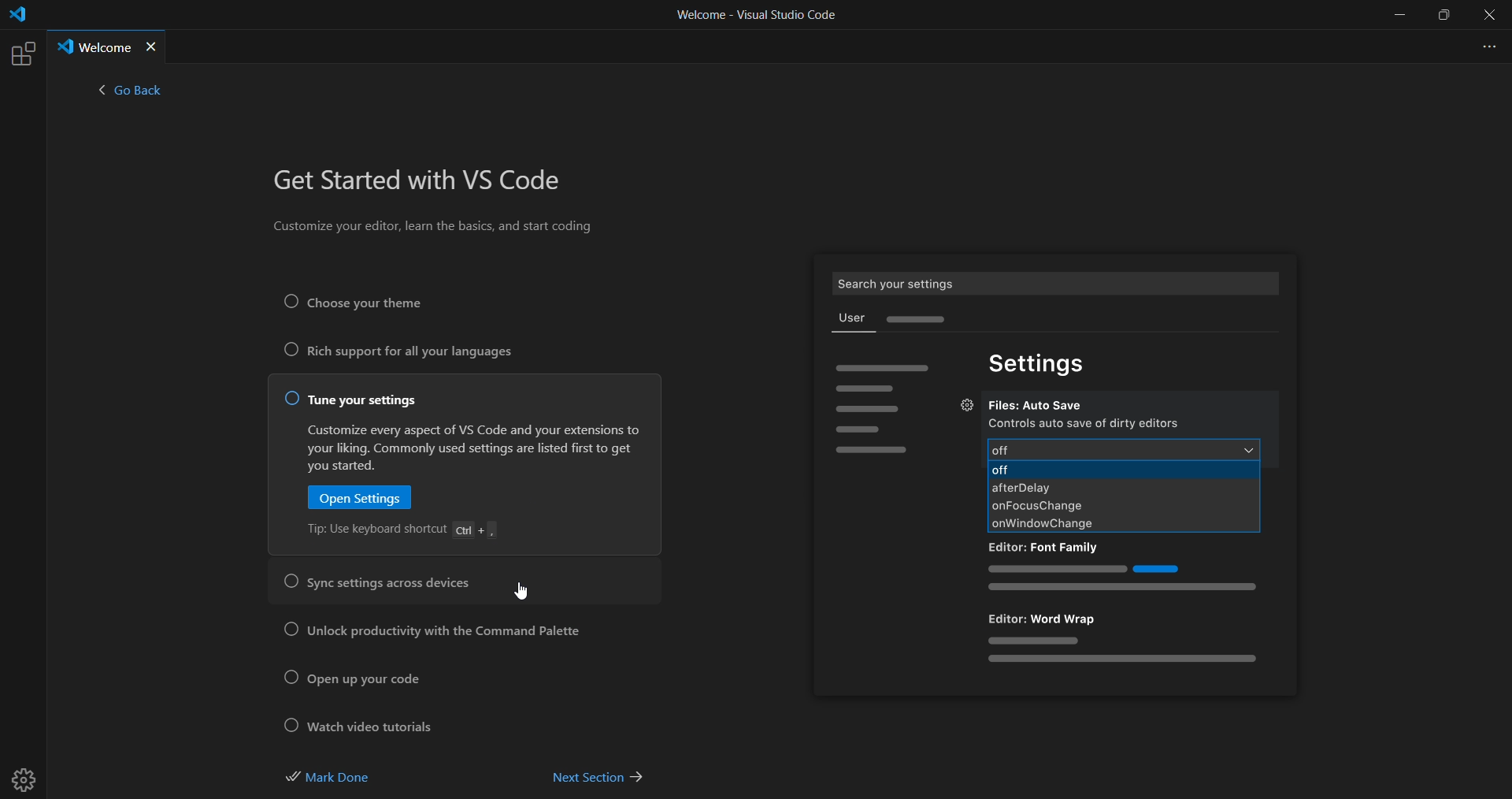 The width and height of the screenshot is (1512, 799). Describe the element at coordinates (345, 777) in the screenshot. I see `mark done` at that location.